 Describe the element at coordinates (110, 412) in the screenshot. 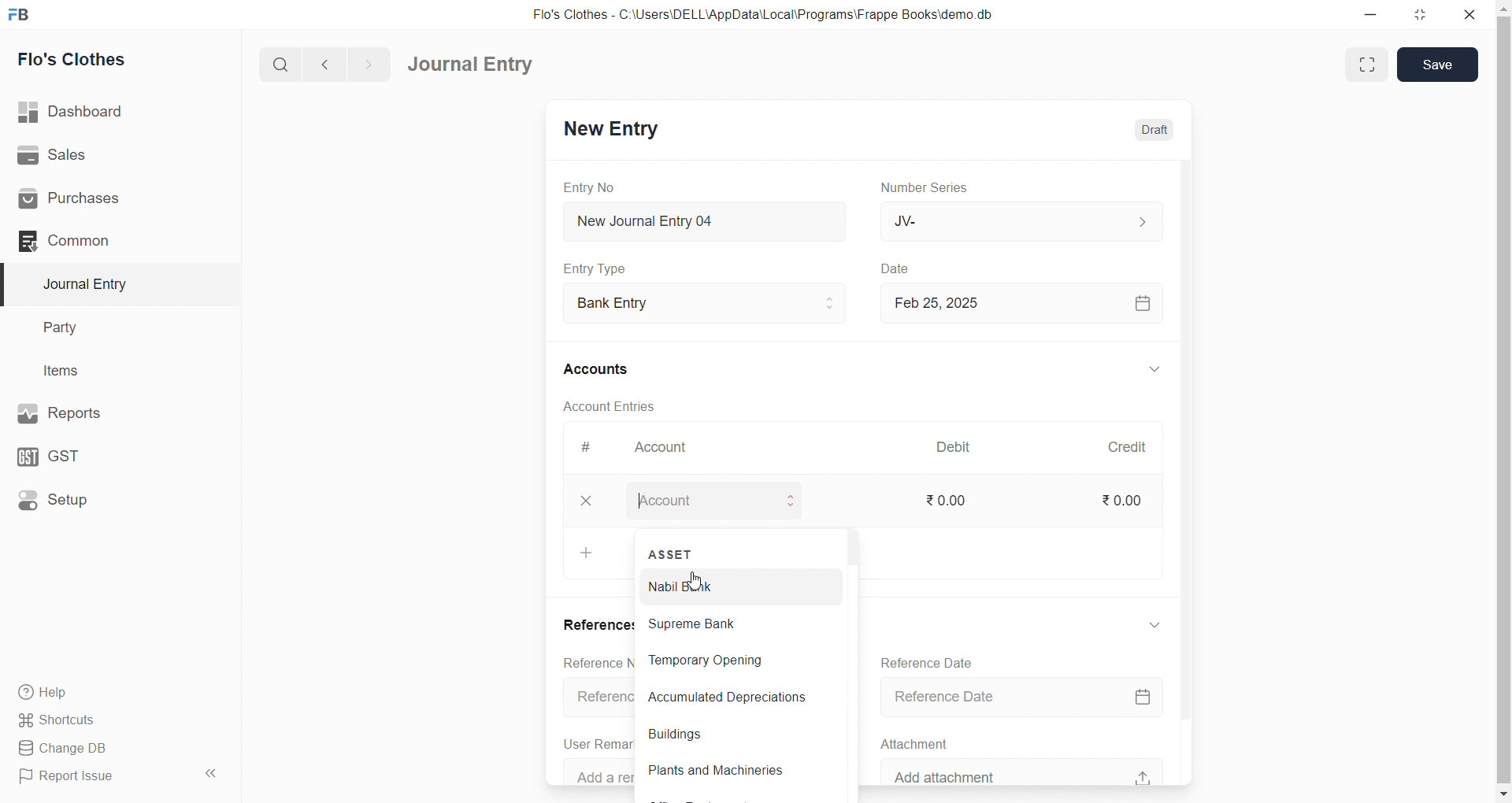

I see `Reports` at that location.